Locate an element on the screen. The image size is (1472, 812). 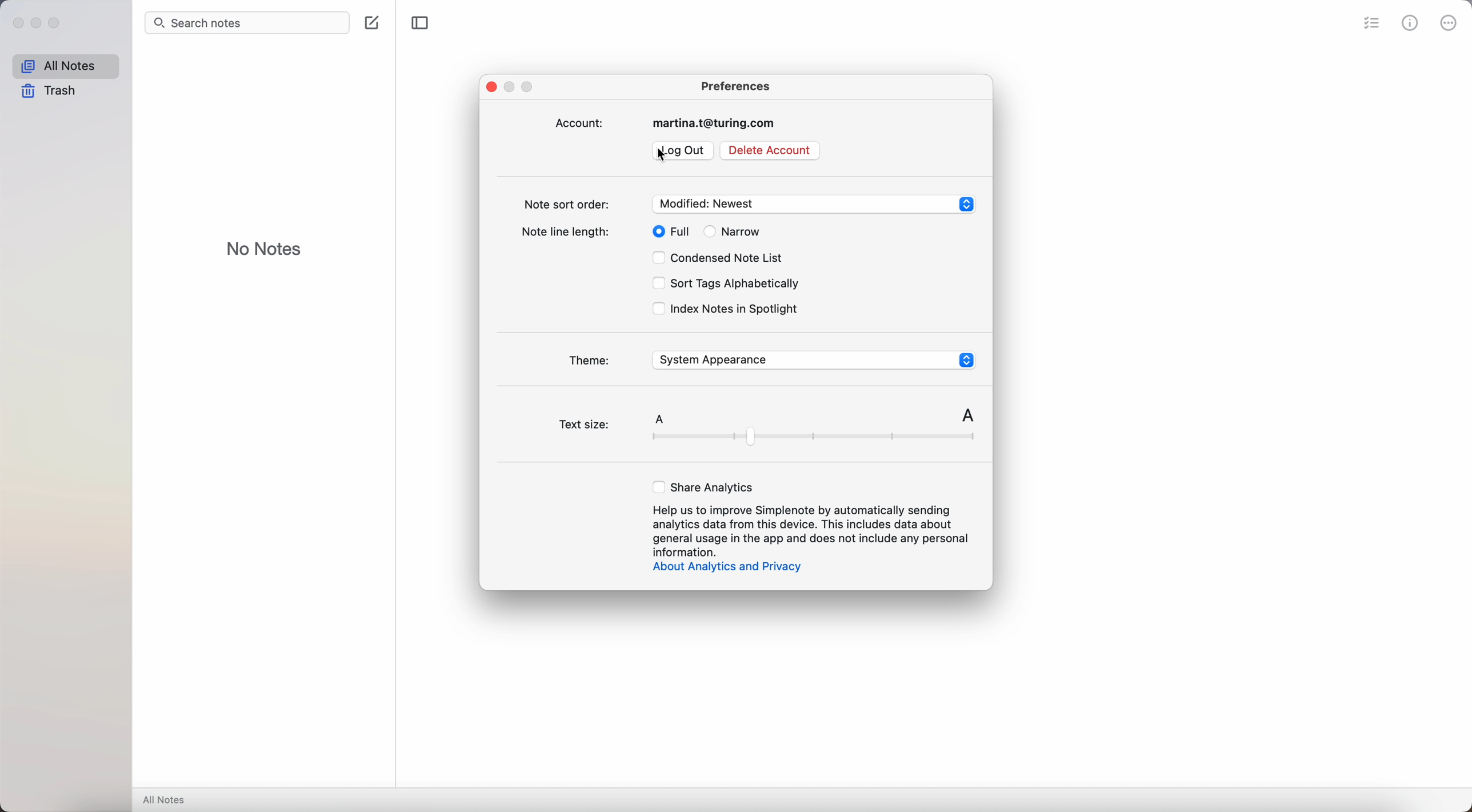
sort tags alphabetically is located at coordinates (735, 283).